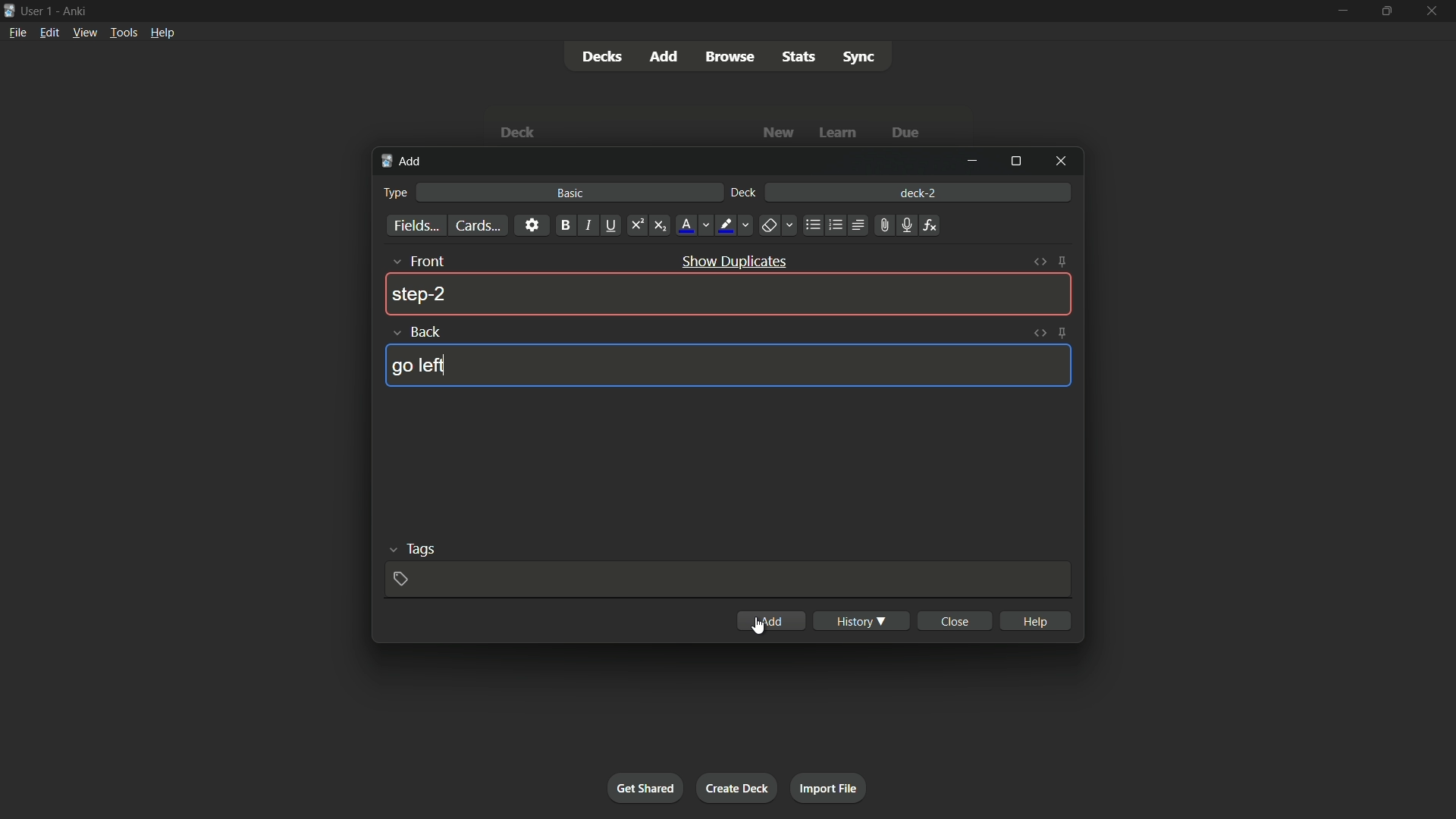  Describe the element at coordinates (75, 11) in the screenshot. I see `app name` at that location.